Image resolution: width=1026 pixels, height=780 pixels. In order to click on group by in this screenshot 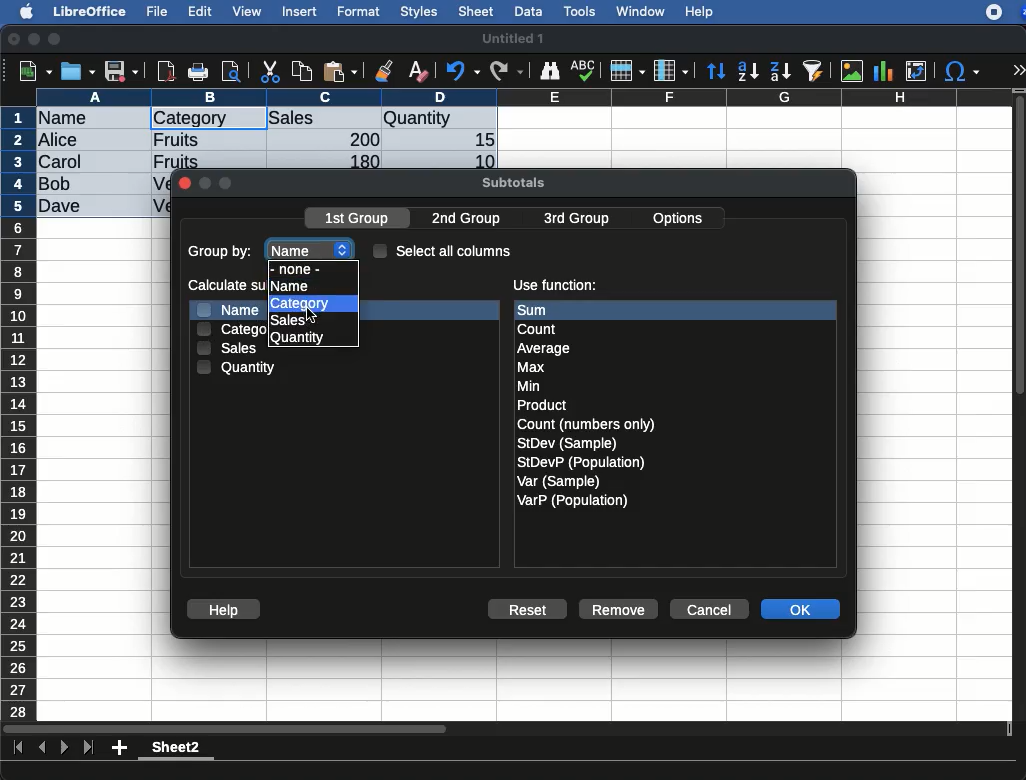, I will do `click(222, 253)`.